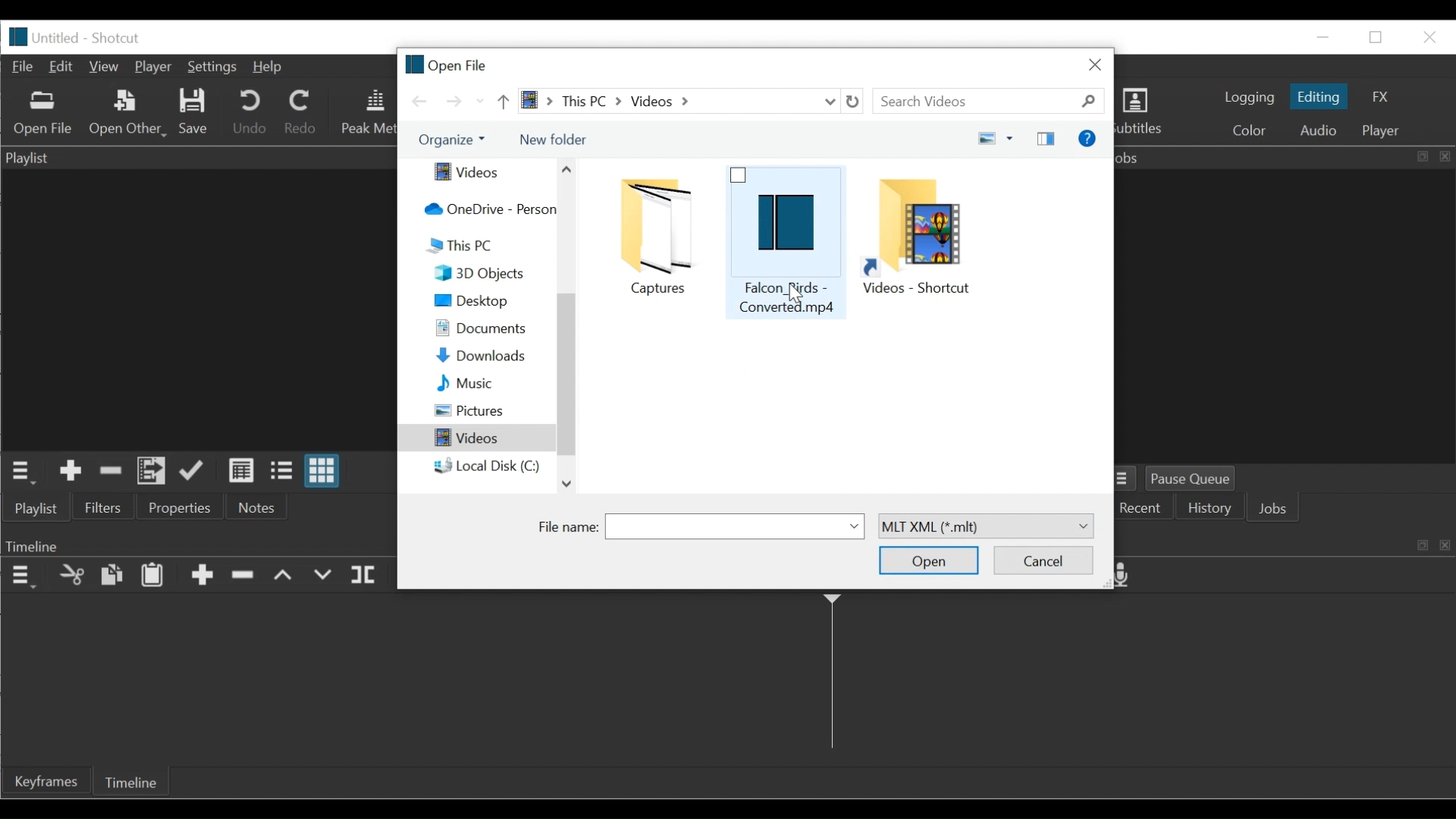 The image size is (1456, 819). What do you see at coordinates (450, 140) in the screenshot?
I see `Organize` at bounding box center [450, 140].